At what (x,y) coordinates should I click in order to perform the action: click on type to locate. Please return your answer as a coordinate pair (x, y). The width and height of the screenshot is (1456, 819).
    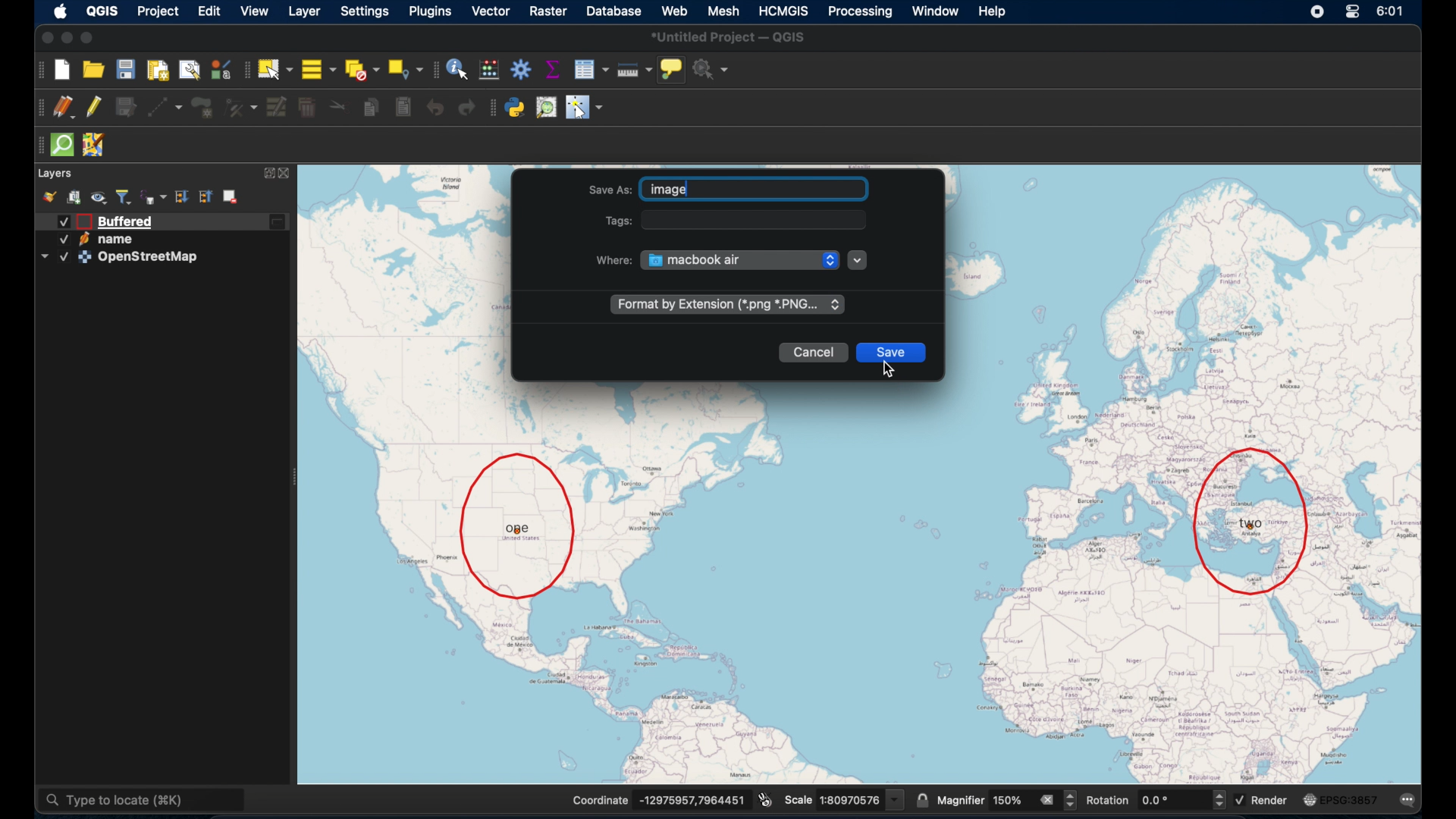
    Looking at the image, I should click on (145, 798).